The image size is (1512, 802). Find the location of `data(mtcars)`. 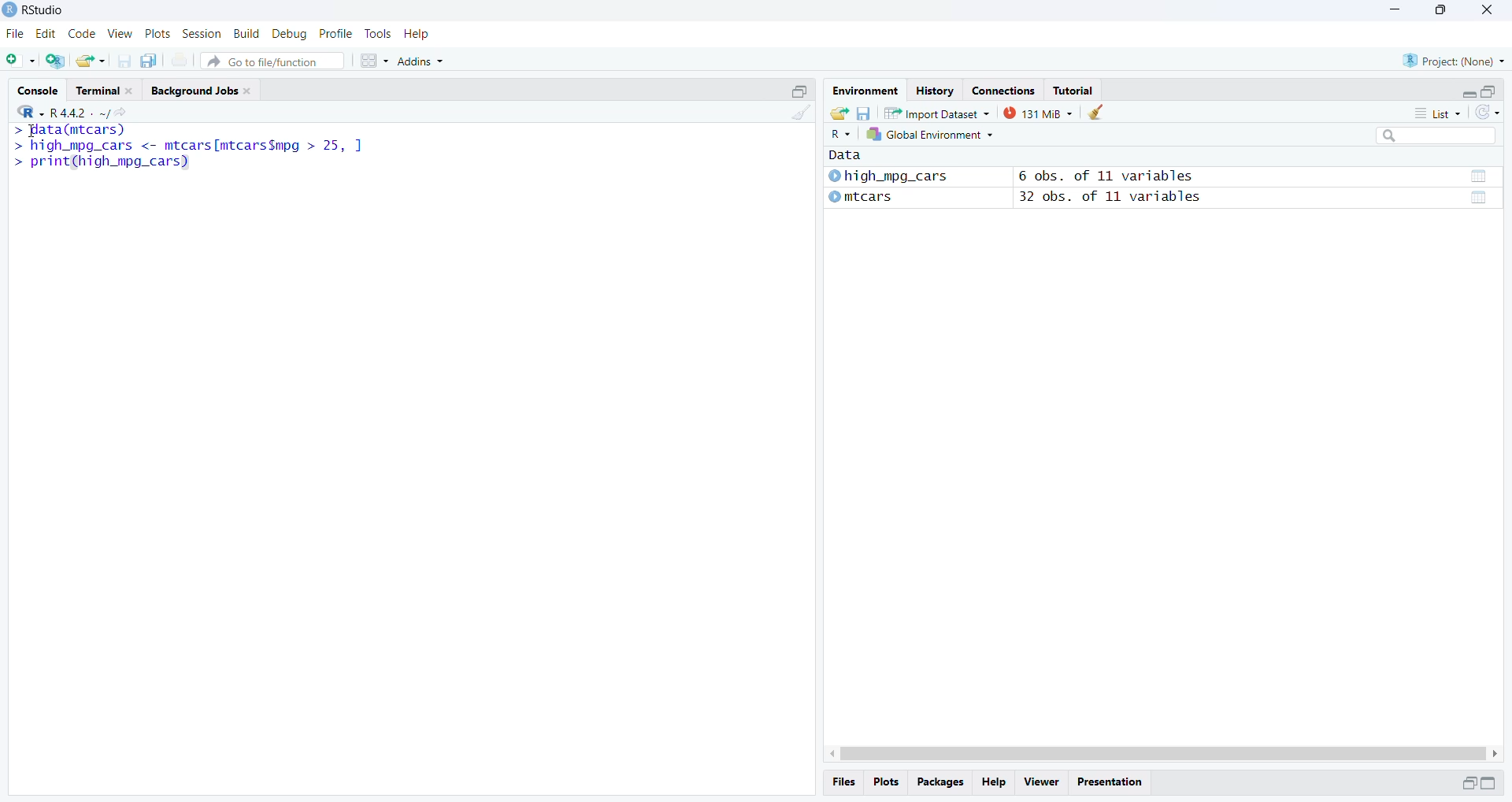

data(mtcars) is located at coordinates (69, 130).